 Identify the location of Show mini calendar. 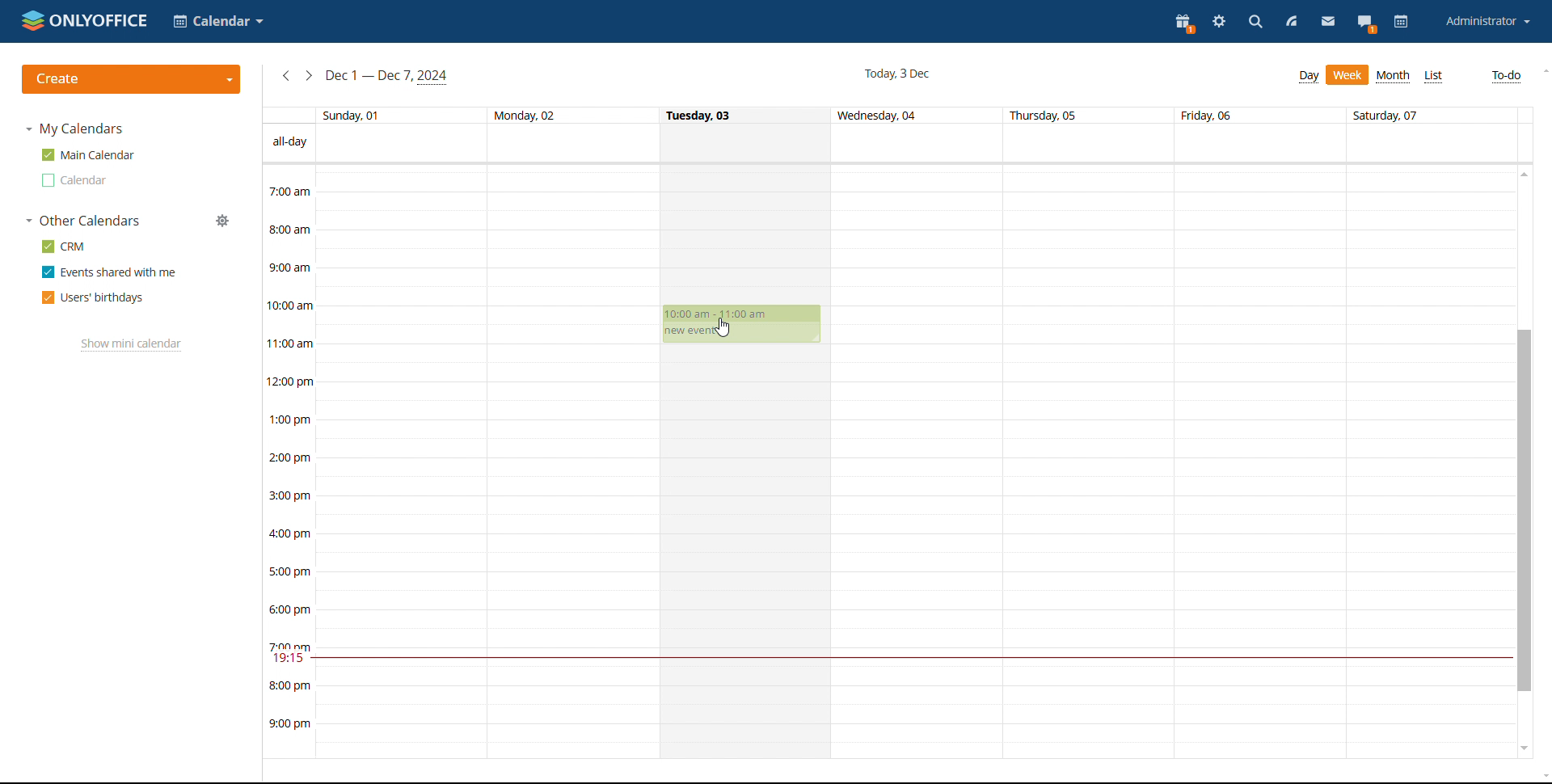
(129, 345).